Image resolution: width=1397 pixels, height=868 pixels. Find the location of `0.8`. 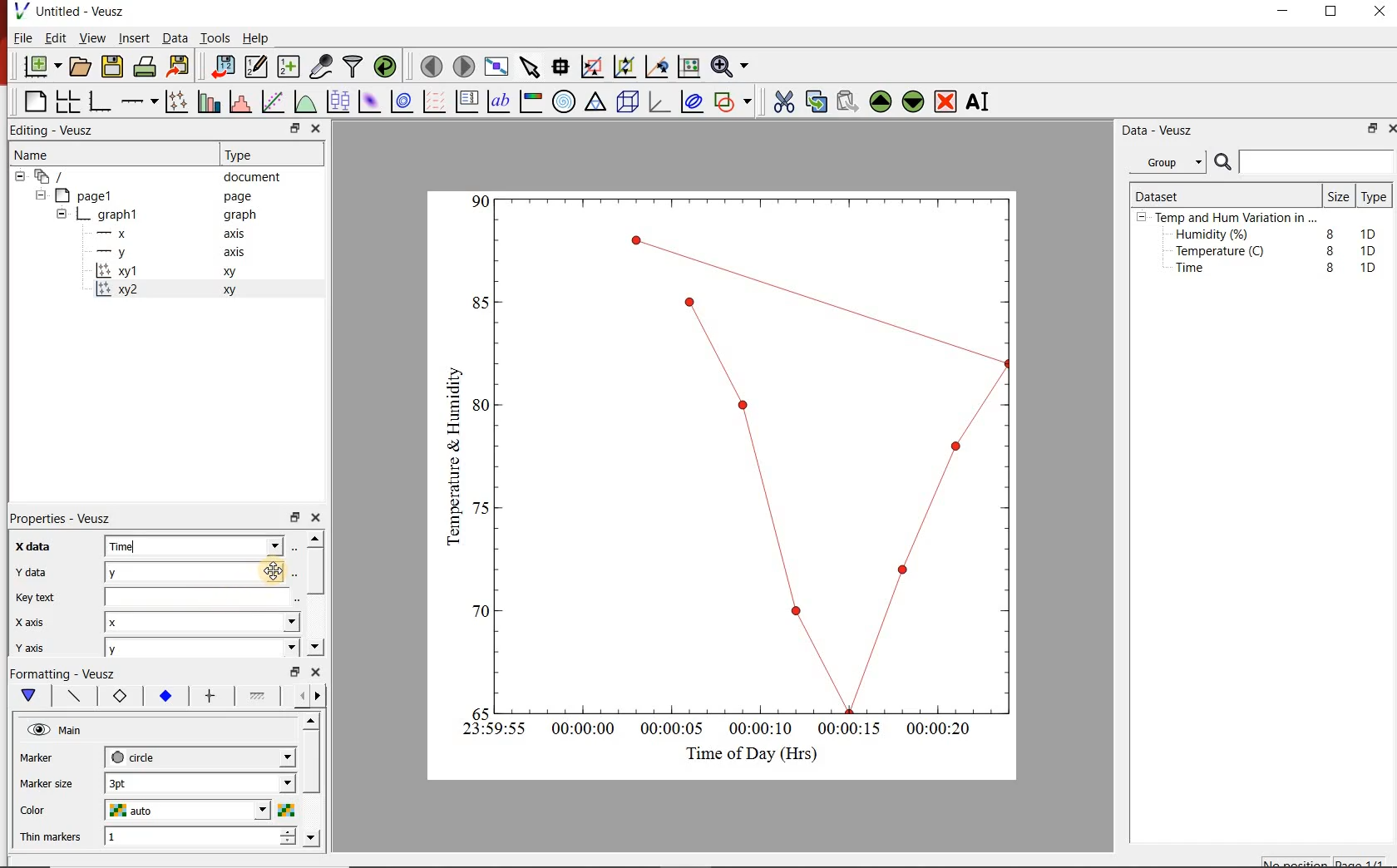

0.8 is located at coordinates (479, 302).